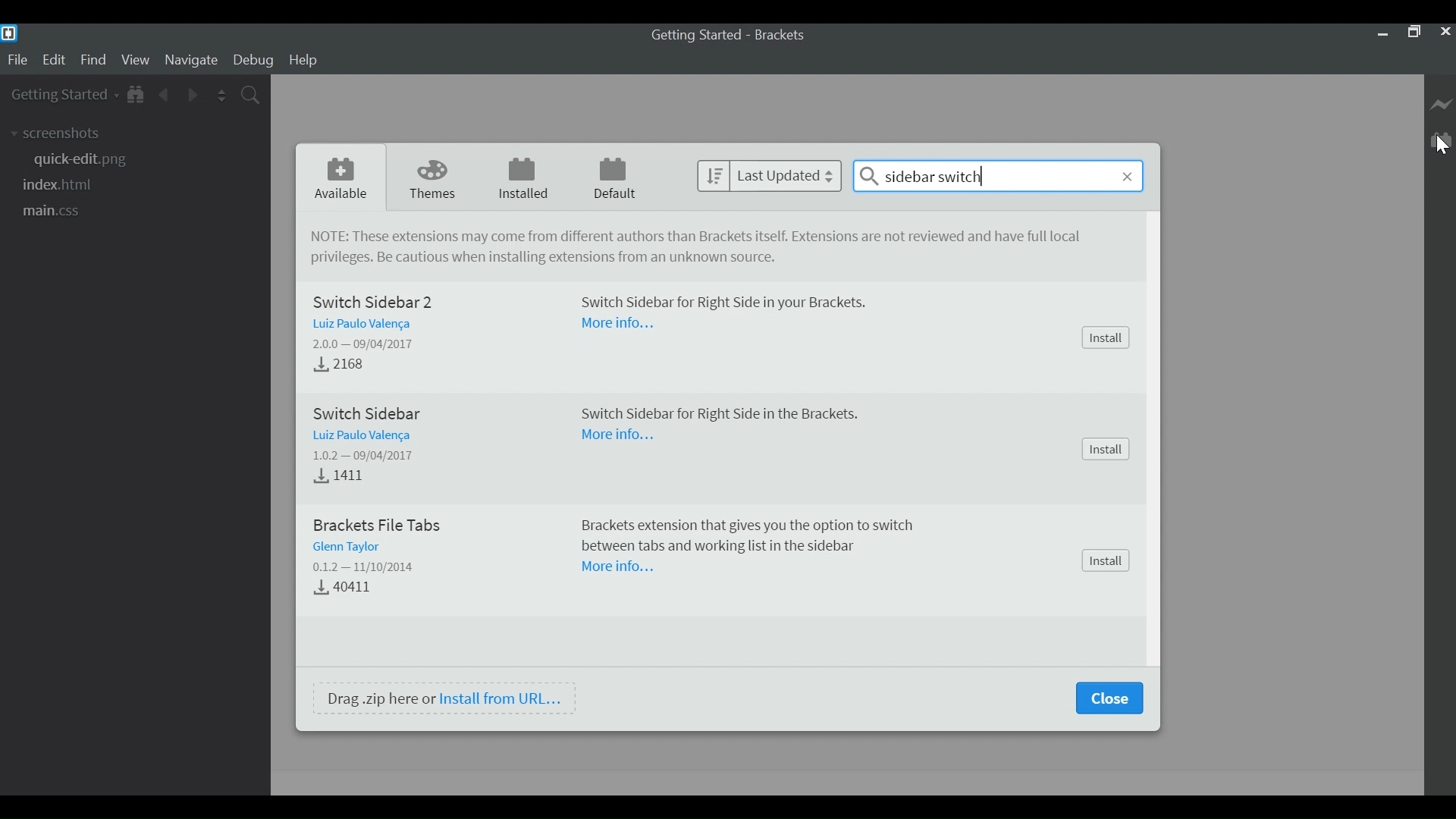 This screenshot has width=1456, height=819. I want to click on More Information, so click(620, 567).